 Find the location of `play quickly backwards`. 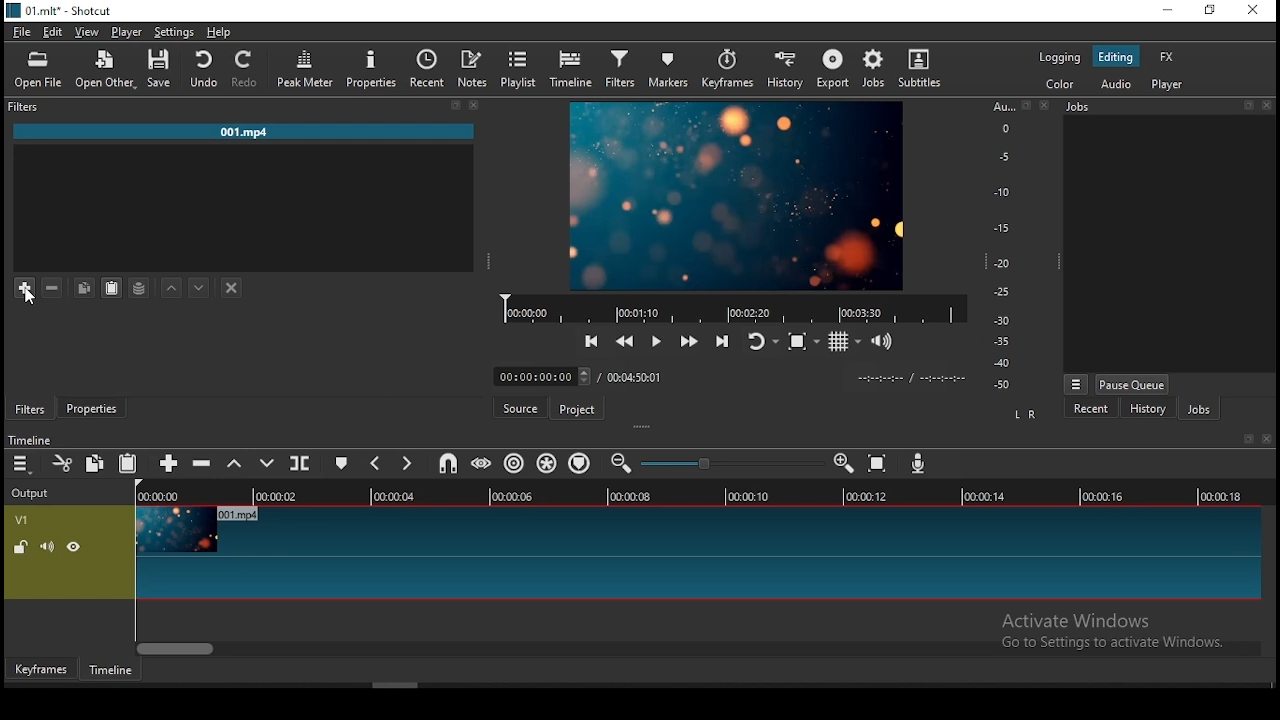

play quickly backwards is located at coordinates (623, 346).